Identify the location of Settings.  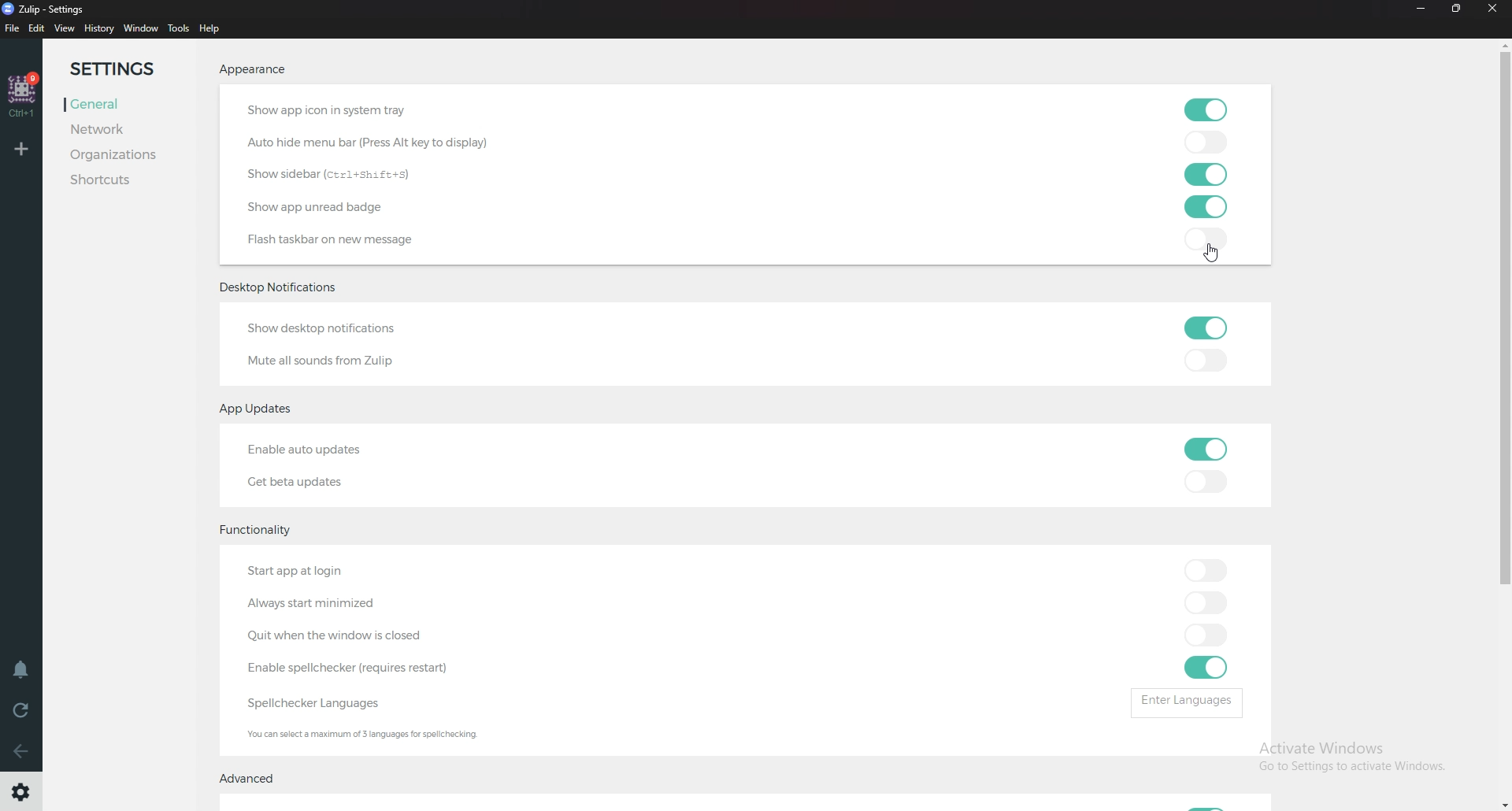
(124, 69).